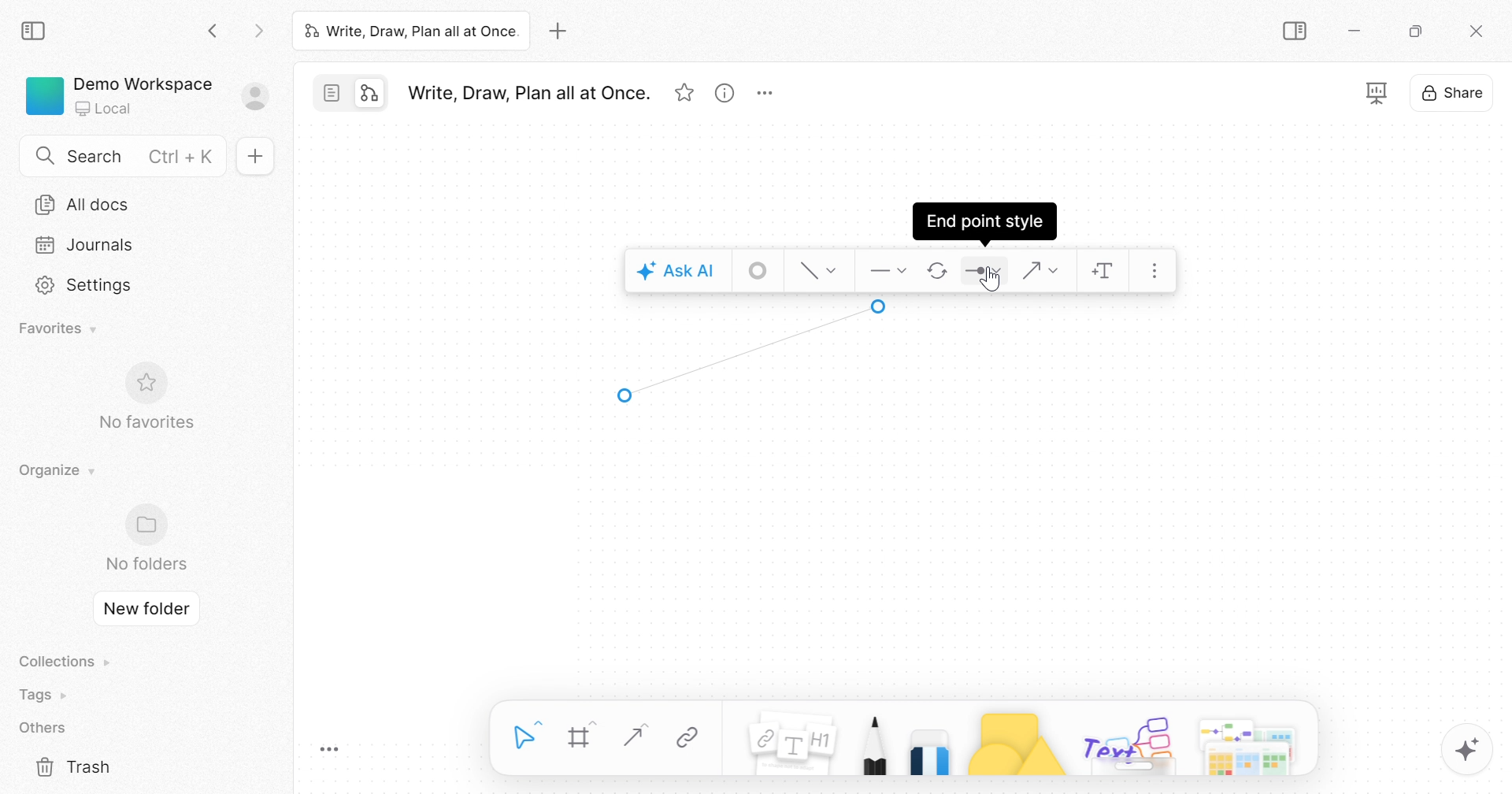 The image size is (1512, 794). I want to click on Restore down, so click(1415, 33).